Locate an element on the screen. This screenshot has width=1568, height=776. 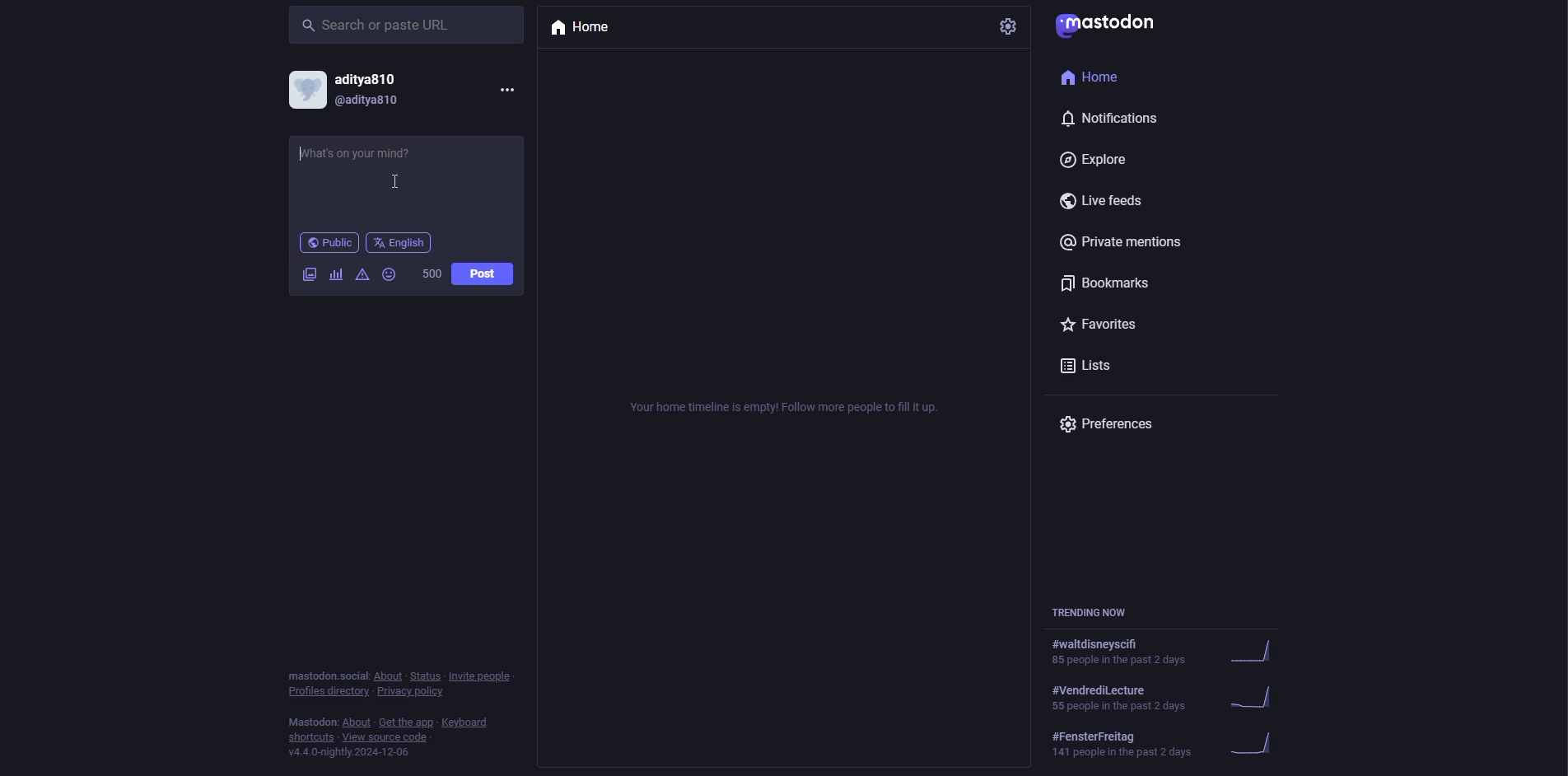
mastodon is located at coordinates (1110, 27).